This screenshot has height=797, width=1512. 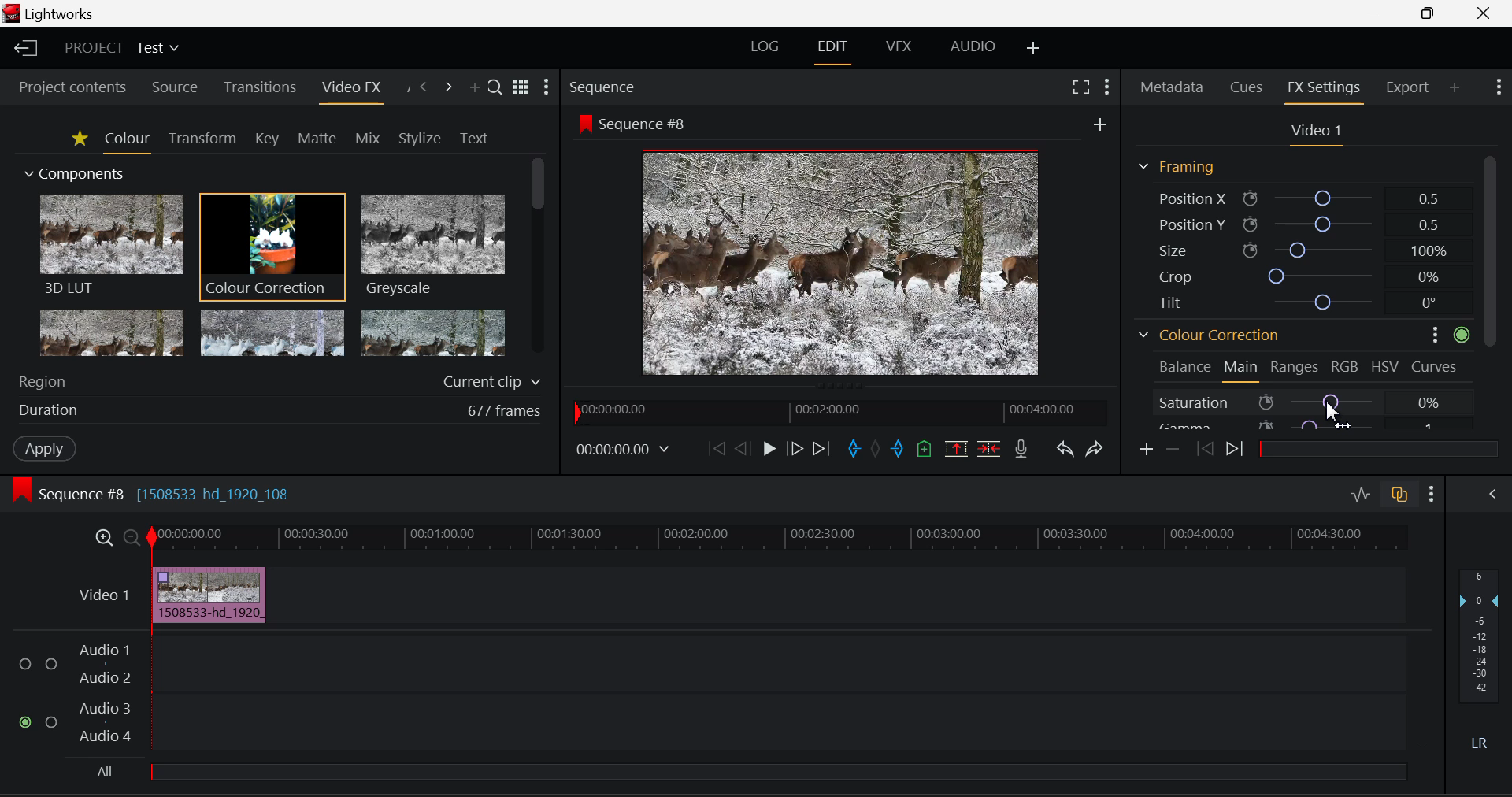 What do you see at coordinates (105, 595) in the screenshot?
I see `Video Layer` at bounding box center [105, 595].